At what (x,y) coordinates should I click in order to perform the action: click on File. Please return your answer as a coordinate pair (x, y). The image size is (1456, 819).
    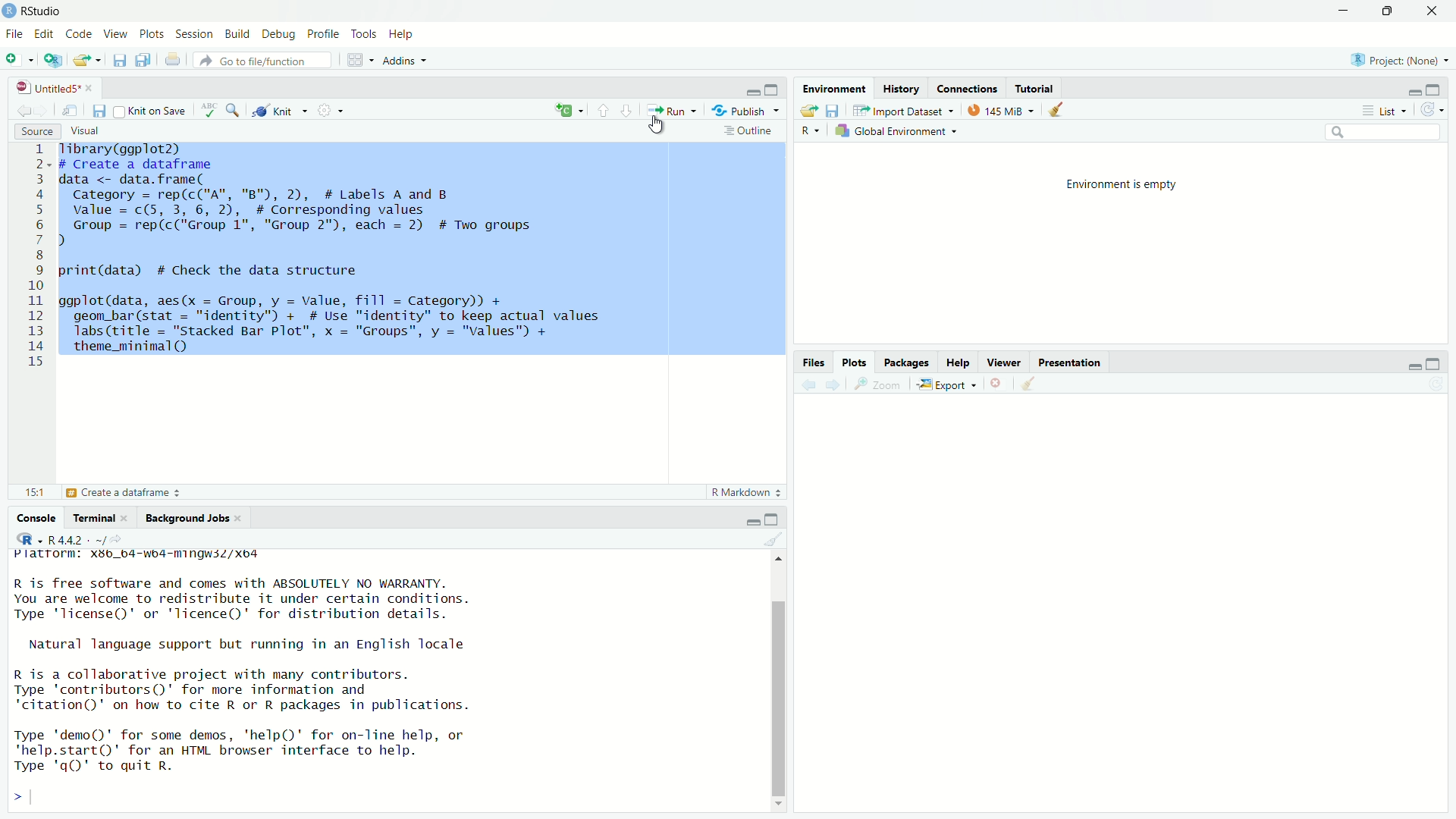
    Looking at the image, I should click on (16, 34).